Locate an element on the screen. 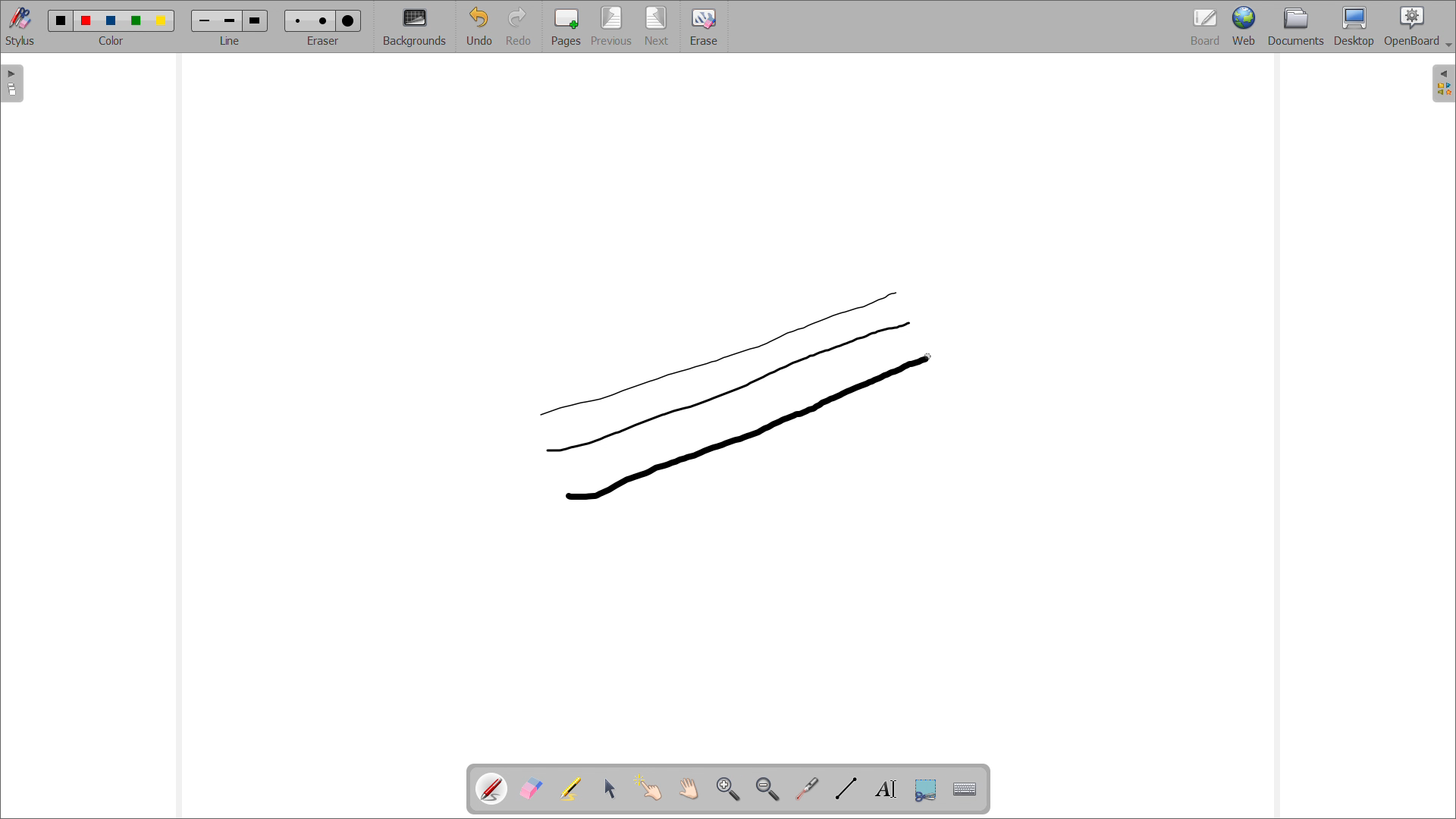 This screenshot has width=1456, height=819. zoom out is located at coordinates (768, 789).